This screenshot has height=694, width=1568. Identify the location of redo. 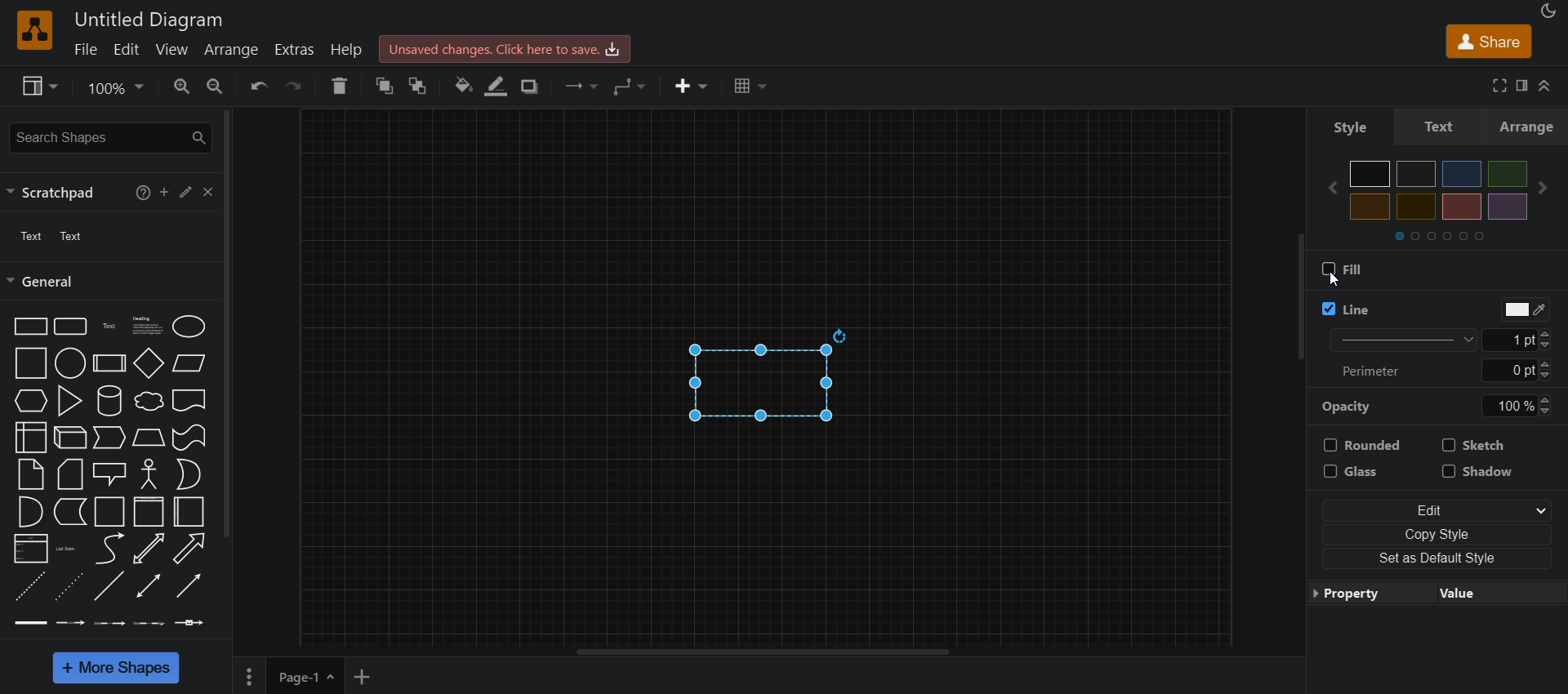
(299, 85).